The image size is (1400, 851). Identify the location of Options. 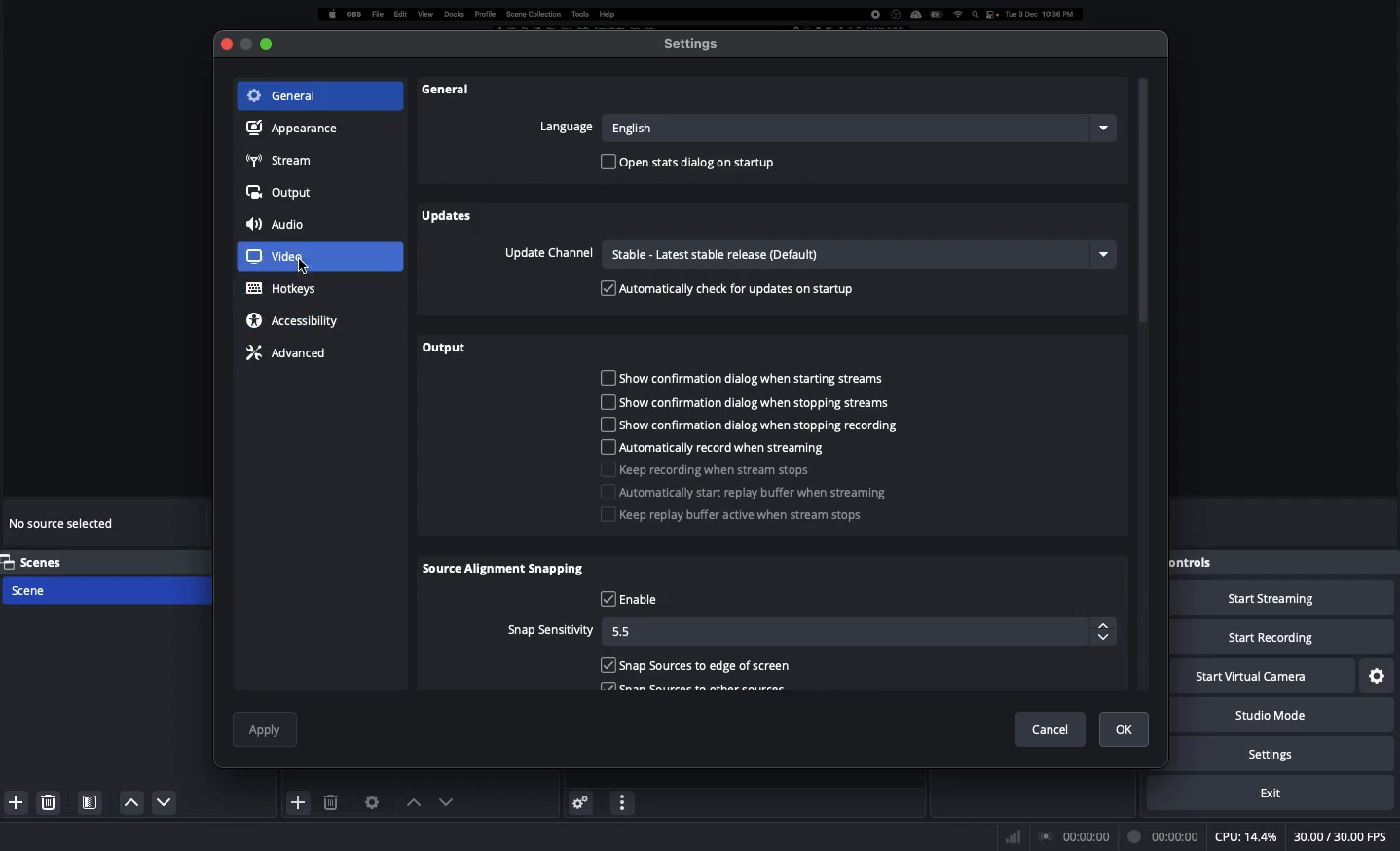
(623, 800).